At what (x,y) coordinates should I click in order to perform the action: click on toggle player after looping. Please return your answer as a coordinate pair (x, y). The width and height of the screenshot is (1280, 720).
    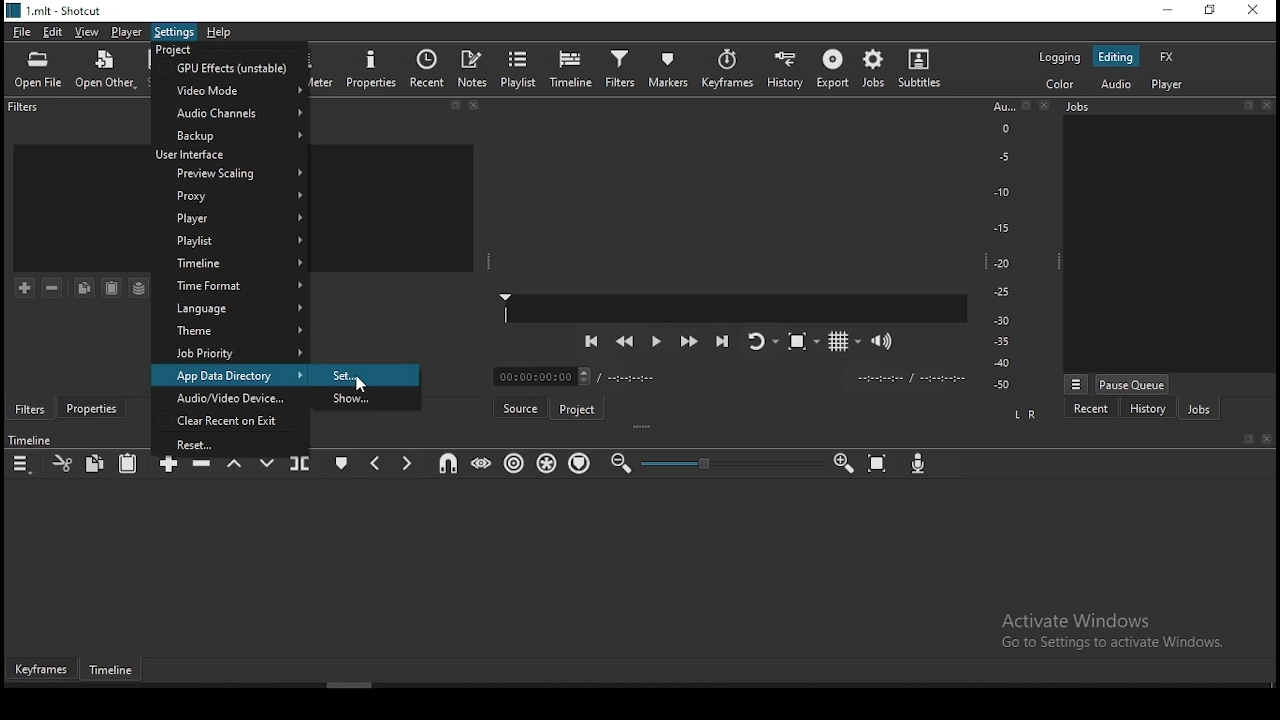
    Looking at the image, I should click on (760, 346).